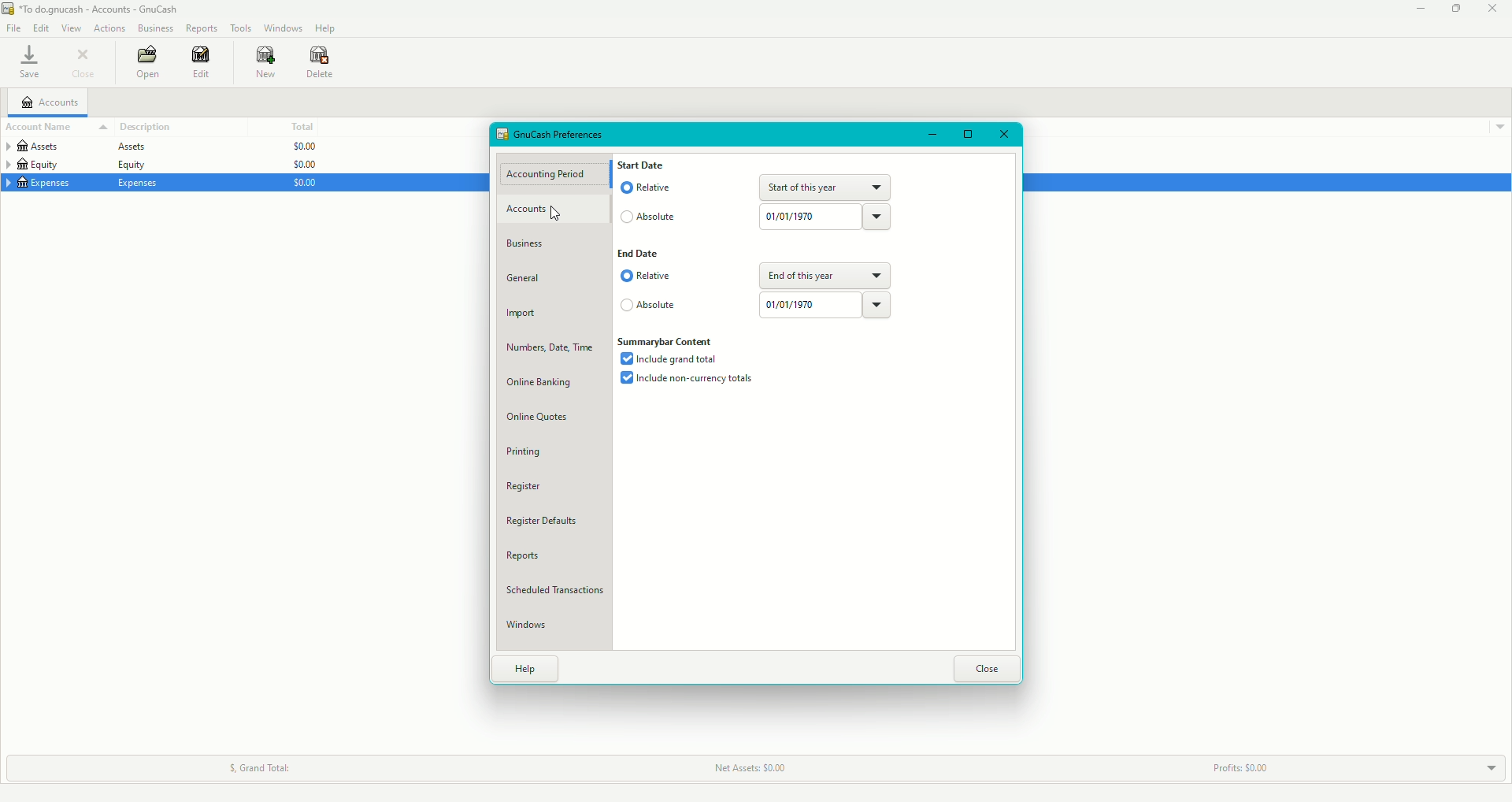 Image resolution: width=1512 pixels, height=802 pixels. Describe the element at coordinates (1421, 9) in the screenshot. I see `Minimize` at that location.